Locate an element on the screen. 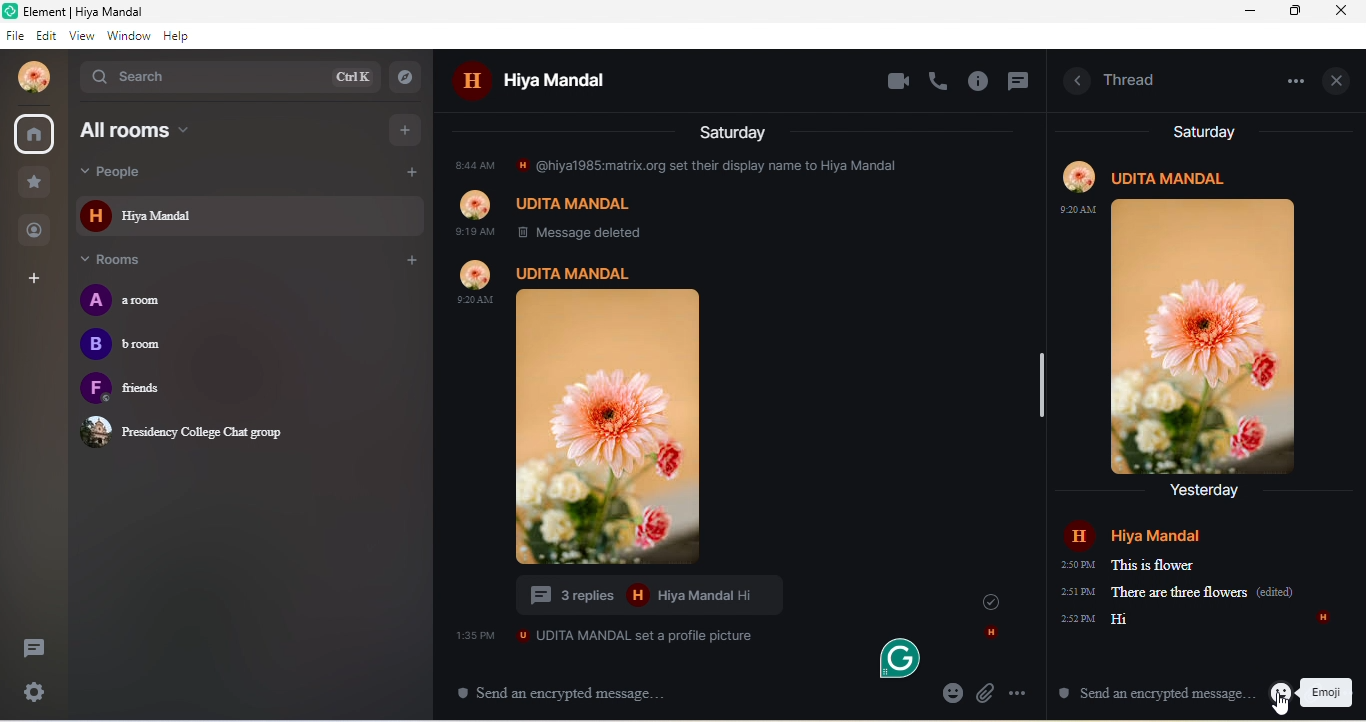  logo is located at coordinates (10, 11).